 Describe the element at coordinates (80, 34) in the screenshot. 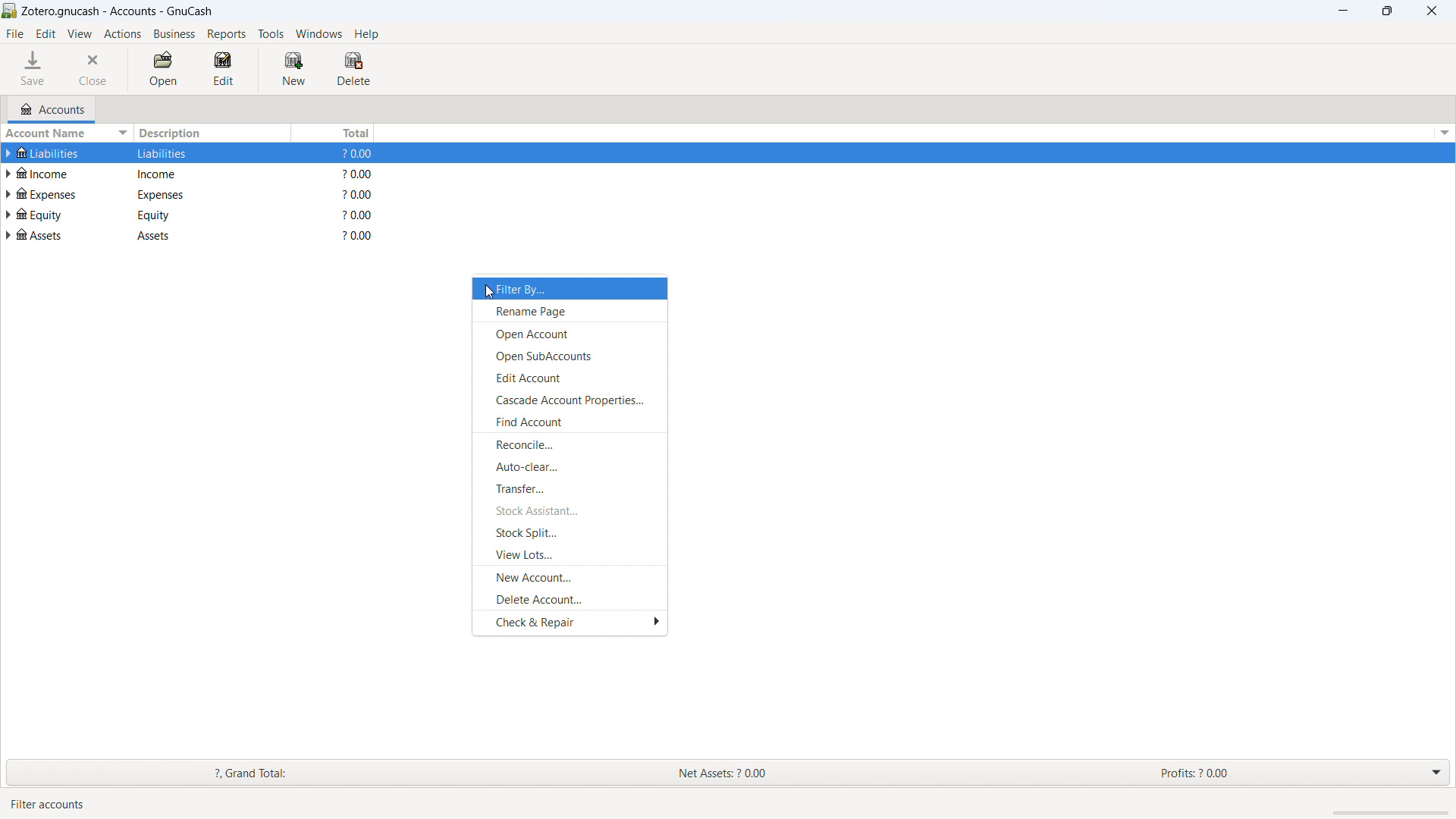

I see `view` at that location.